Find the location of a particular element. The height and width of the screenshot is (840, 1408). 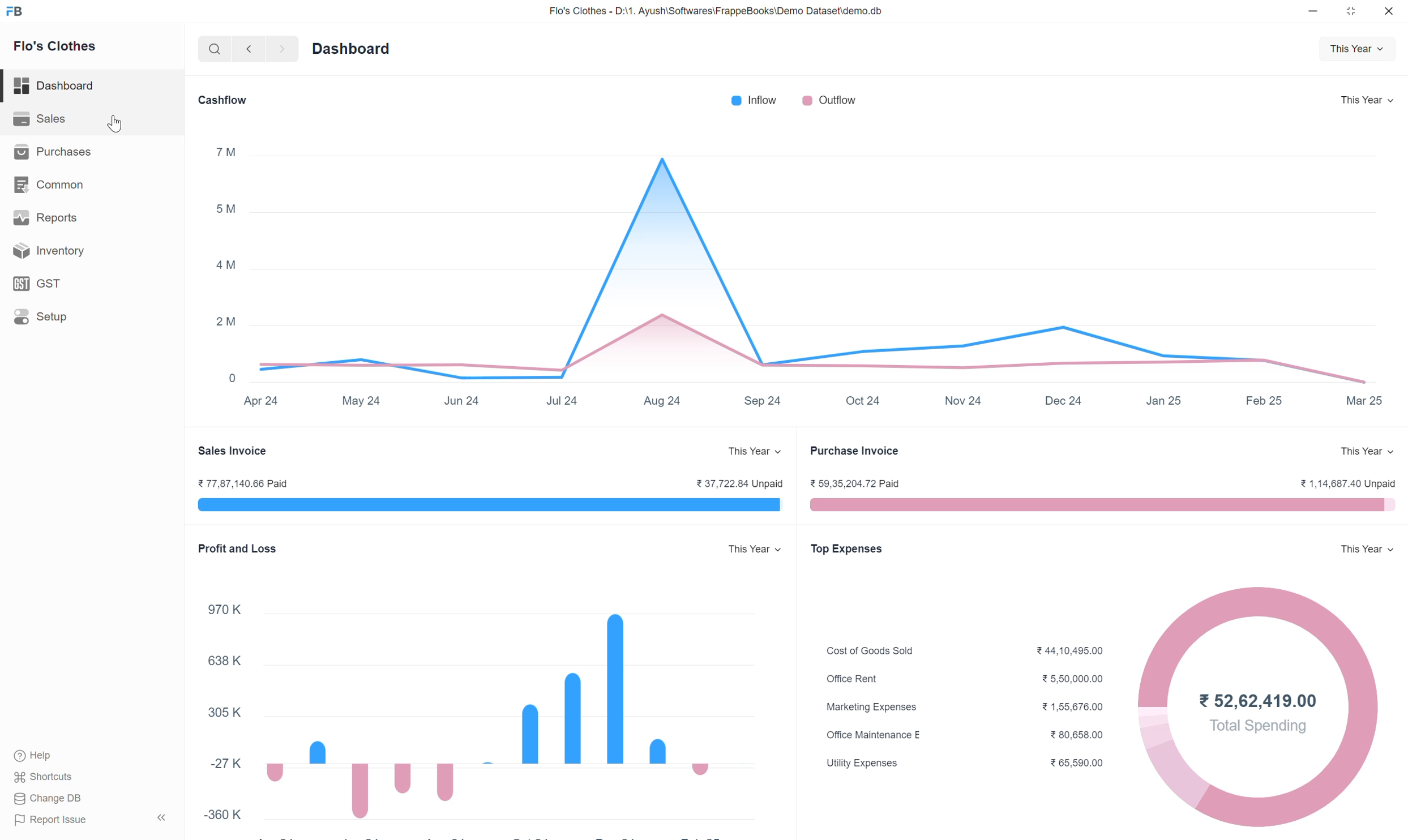

Flo's Clothes is located at coordinates (52, 44).